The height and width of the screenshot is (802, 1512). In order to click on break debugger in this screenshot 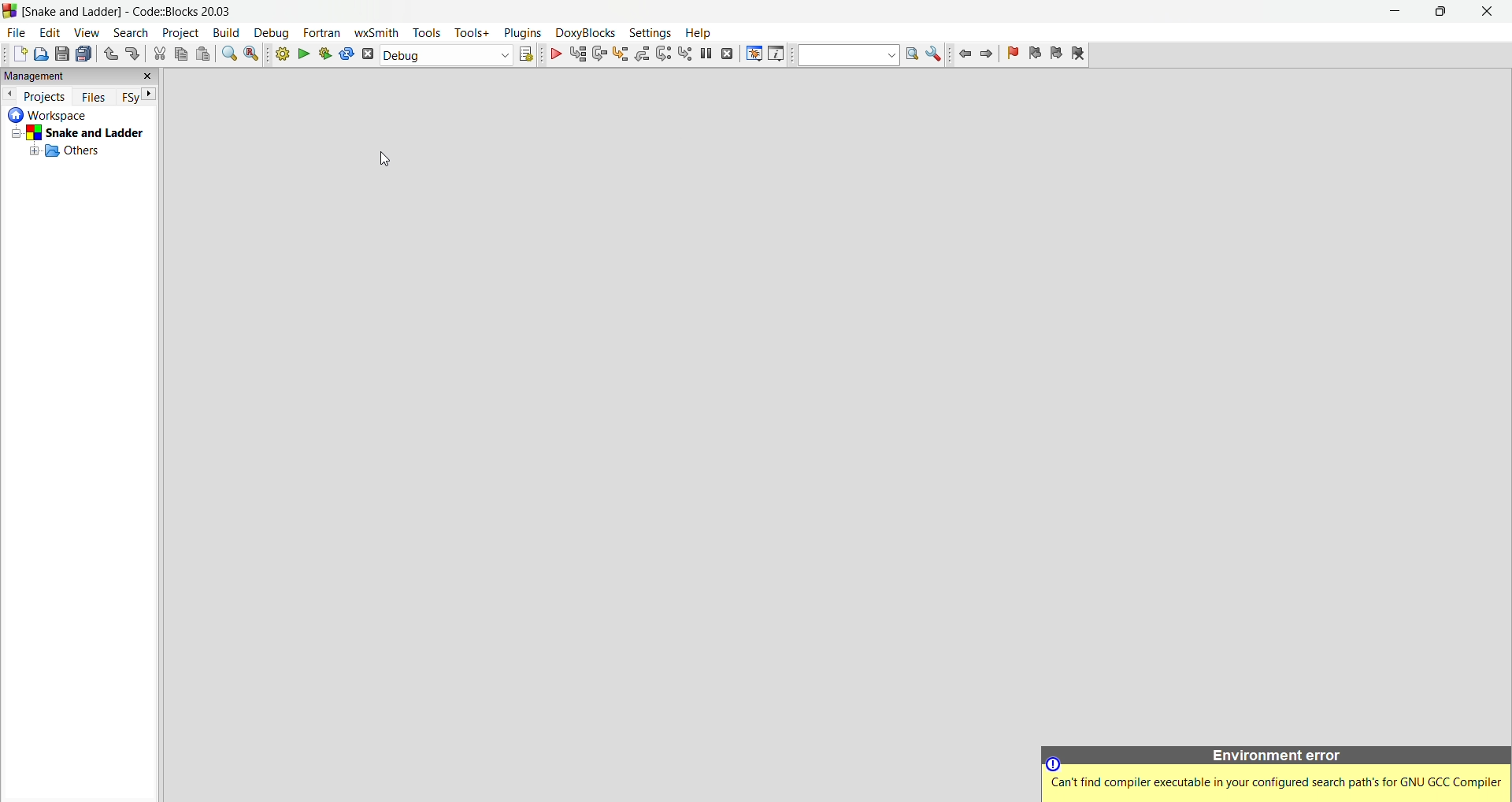, I will do `click(705, 54)`.